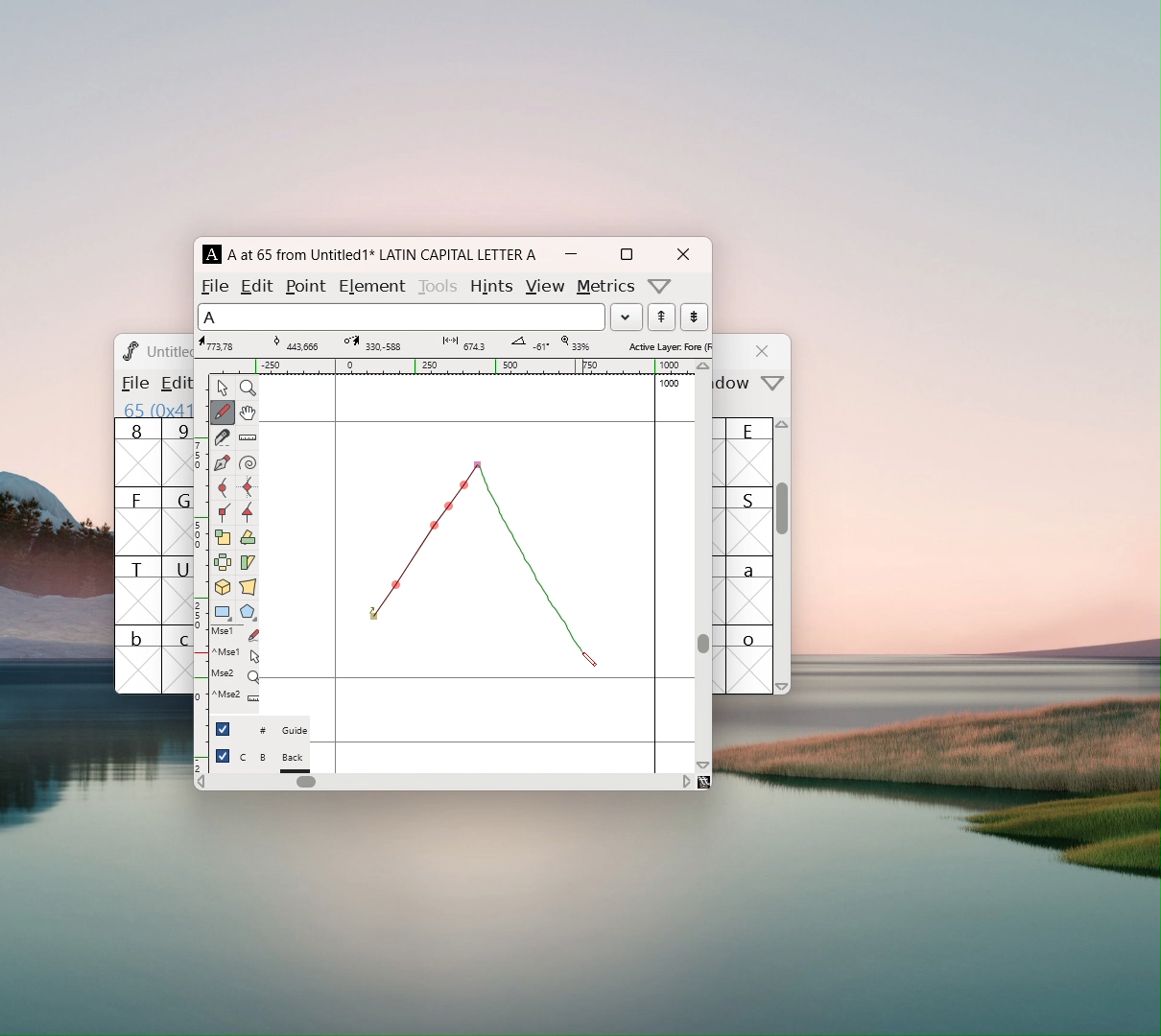 This screenshot has width=1161, height=1036. I want to click on o, so click(751, 659).